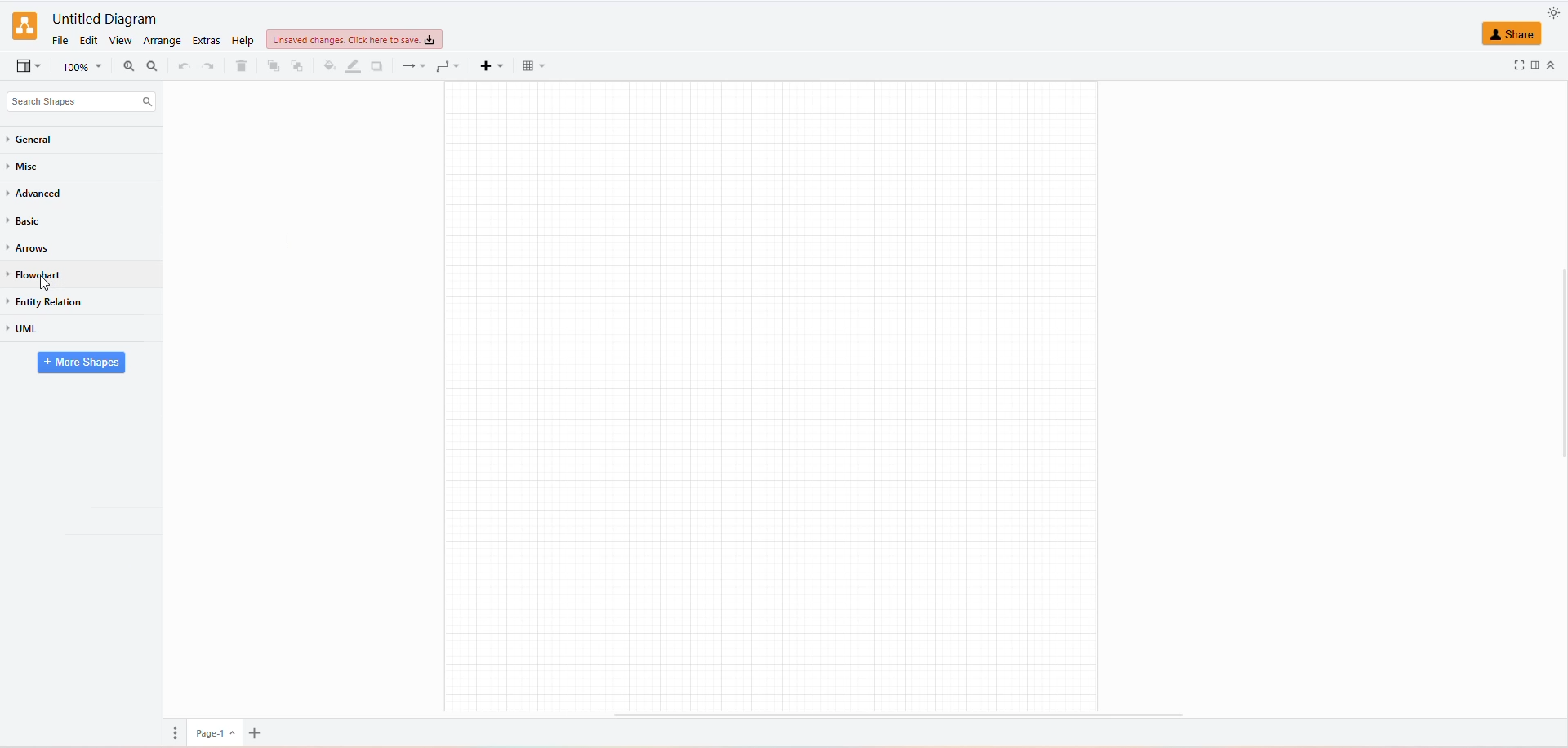 Image resolution: width=1568 pixels, height=748 pixels. I want to click on FILE NAME, so click(101, 16).